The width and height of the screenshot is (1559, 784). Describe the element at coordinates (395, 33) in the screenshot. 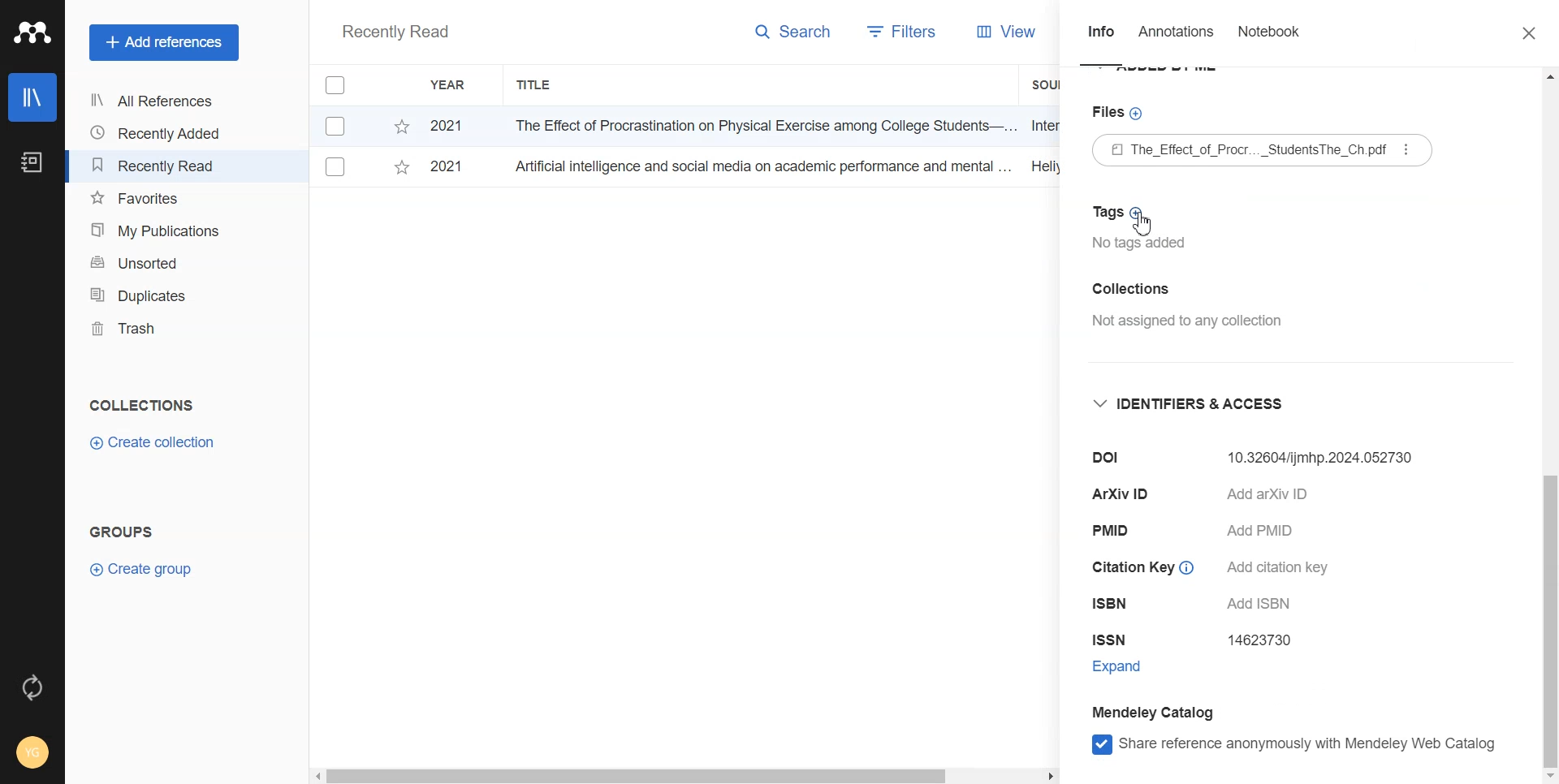

I see `Recently Read` at that location.